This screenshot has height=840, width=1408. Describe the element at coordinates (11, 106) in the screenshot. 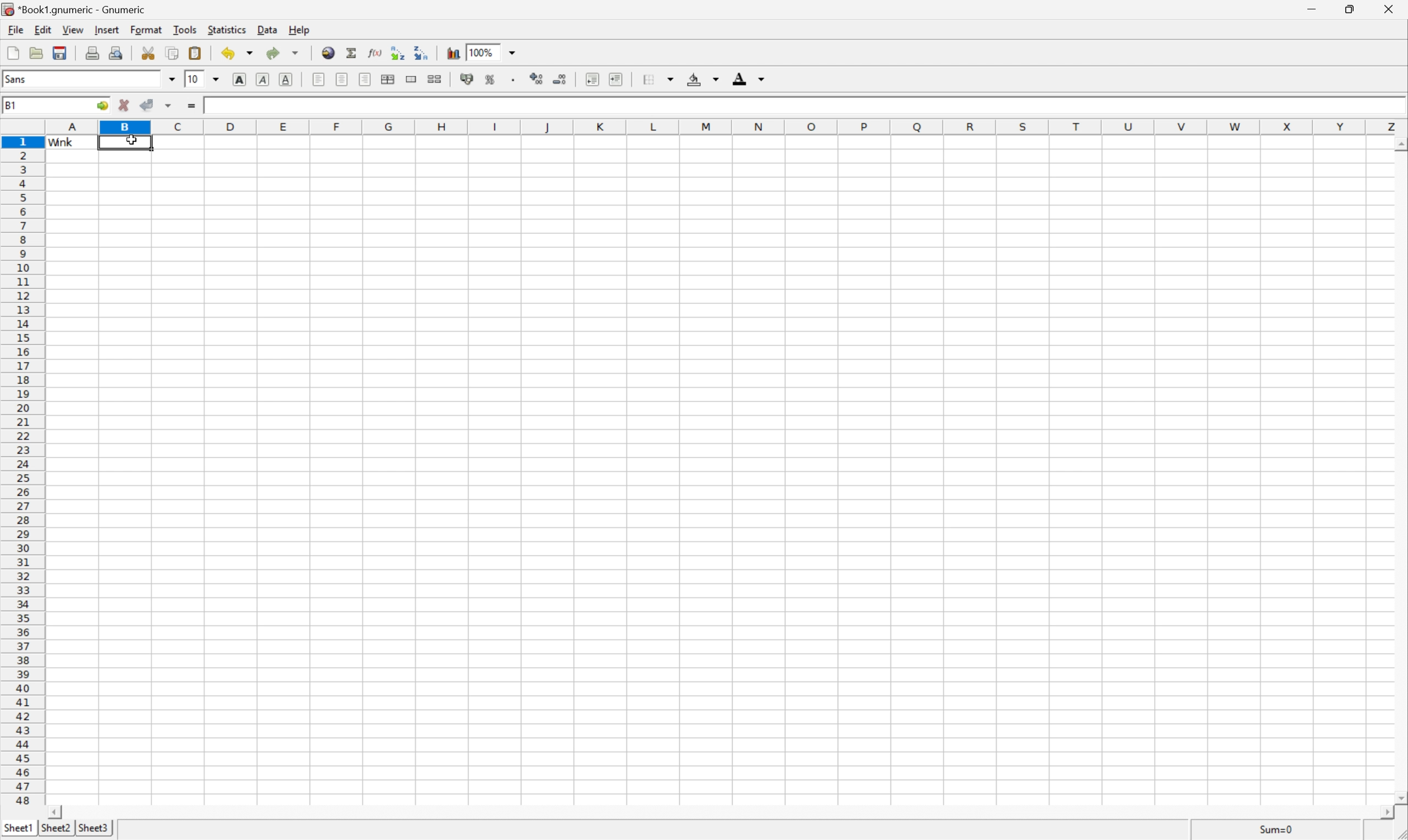

I see `B1` at that location.